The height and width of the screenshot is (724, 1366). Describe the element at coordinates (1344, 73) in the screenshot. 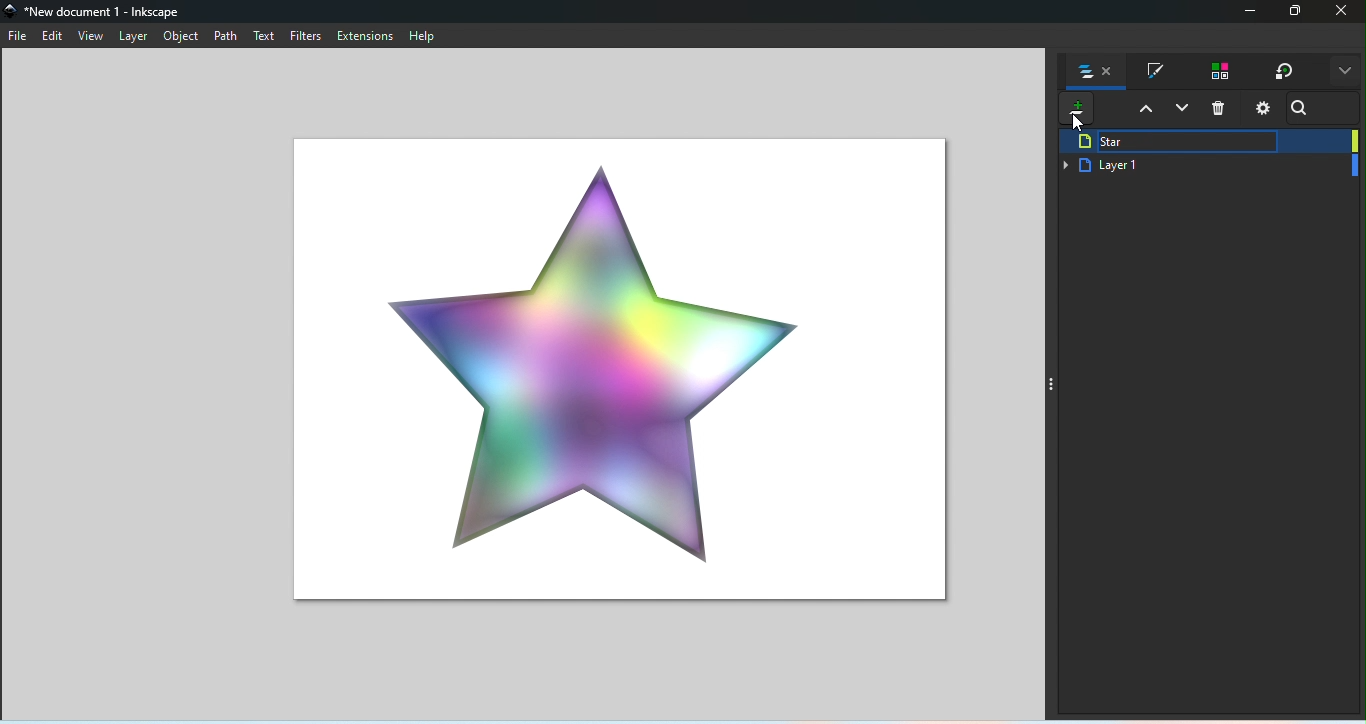

I see `More options` at that location.